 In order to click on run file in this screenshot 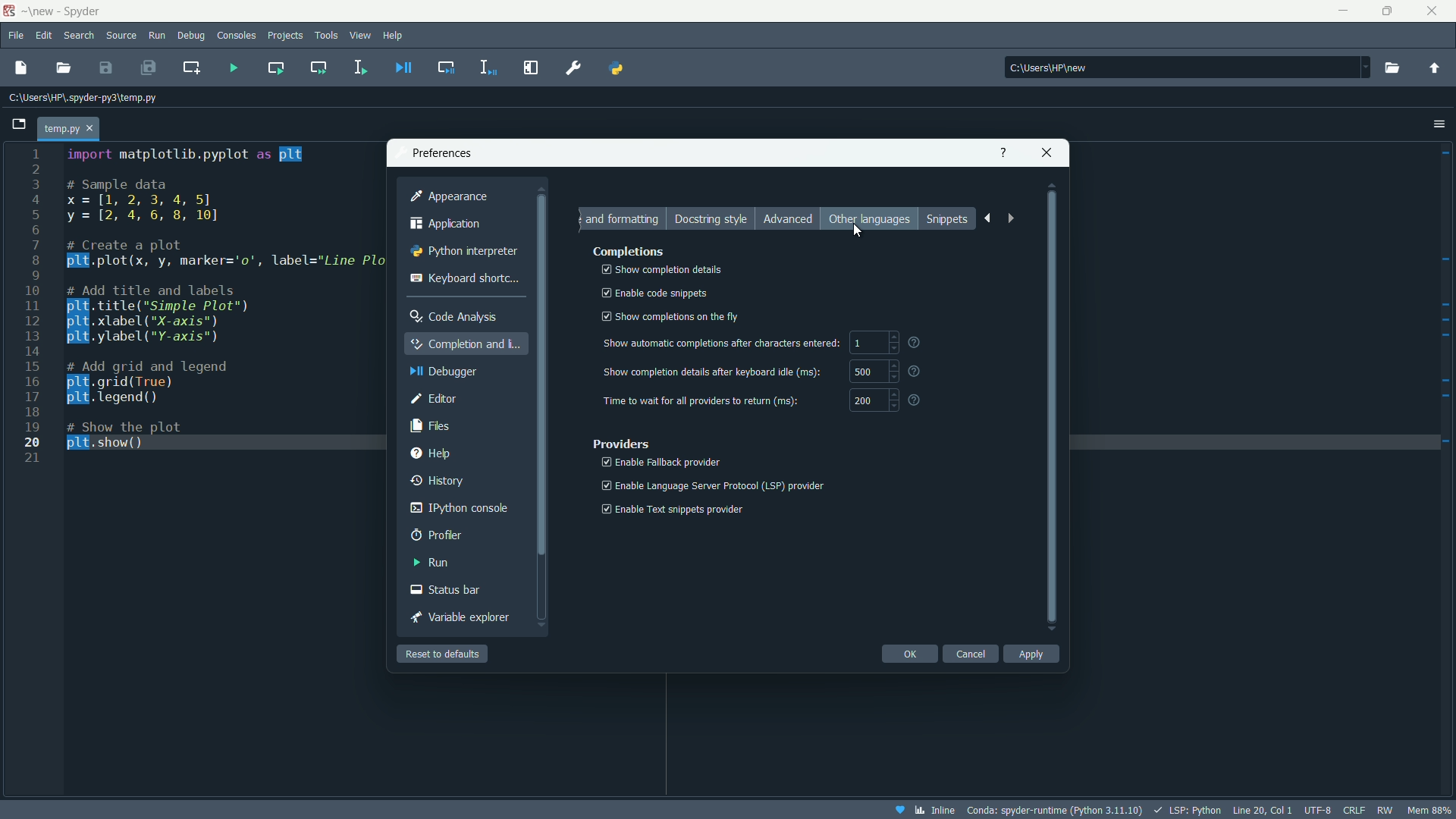, I will do `click(234, 68)`.